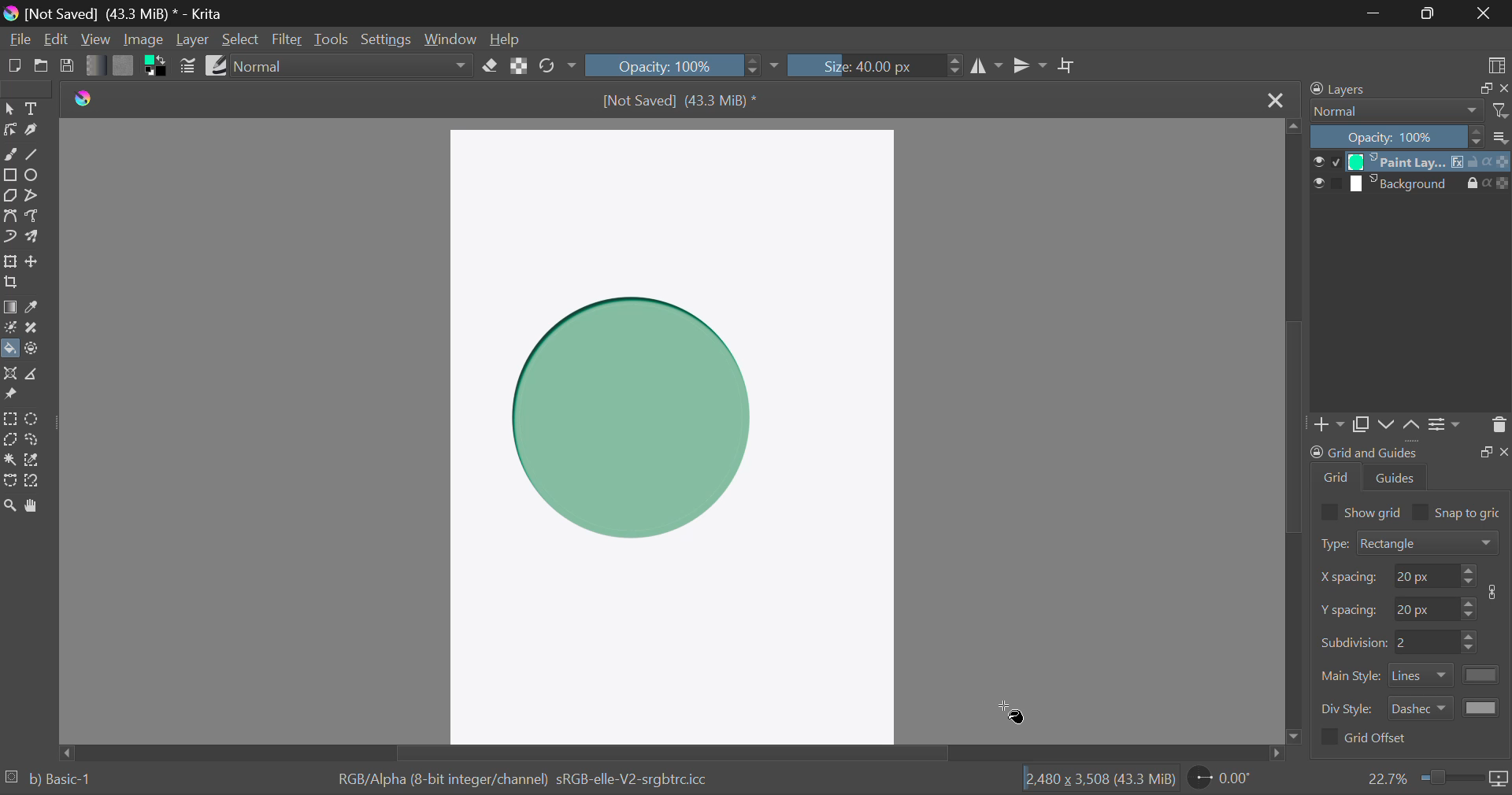 This screenshot has width=1512, height=795. What do you see at coordinates (33, 442) in the screenshot?
I see `Freehand Selection` at bounding box center [33, 442].